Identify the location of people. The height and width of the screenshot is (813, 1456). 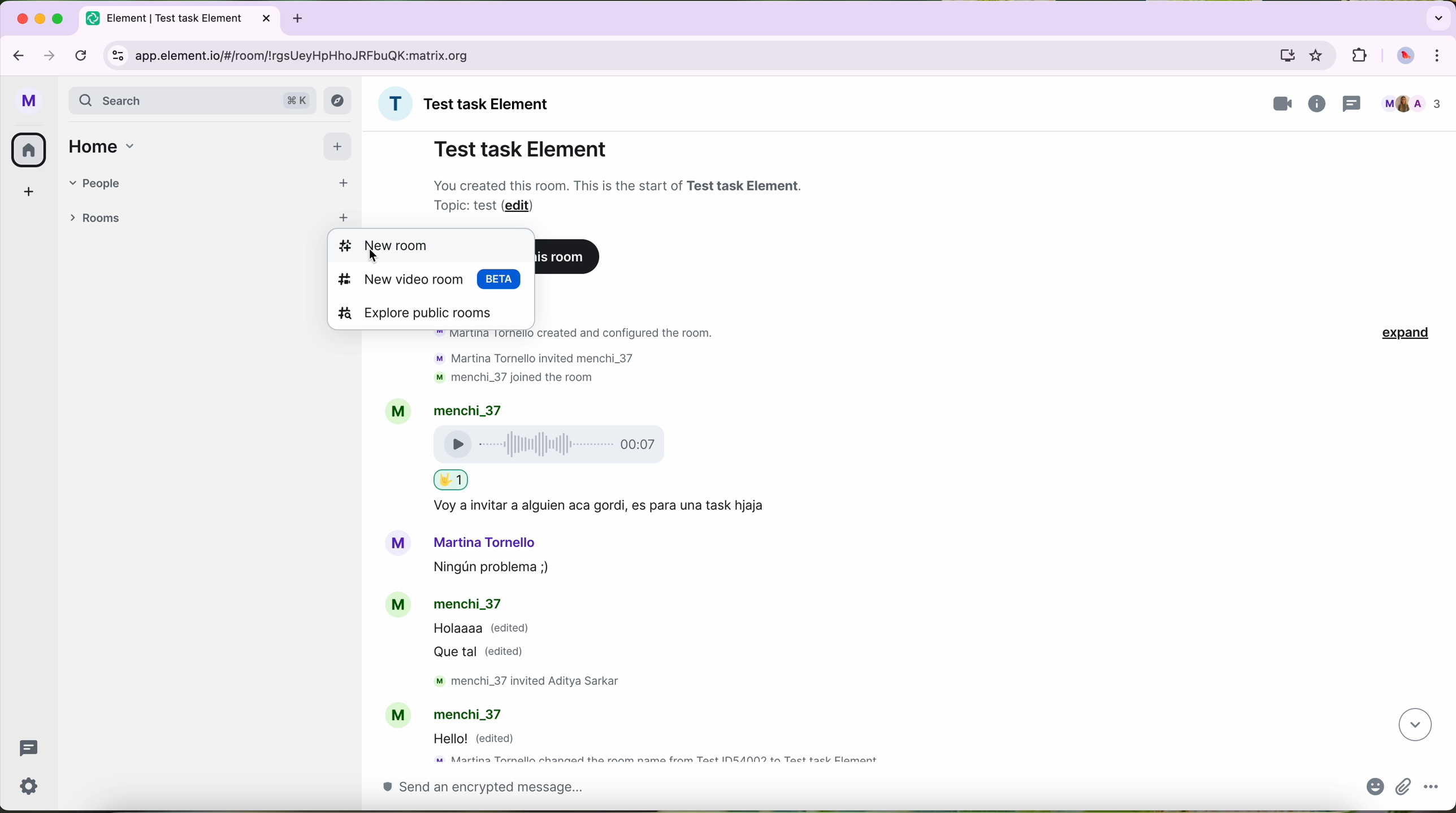
(1411, 103).